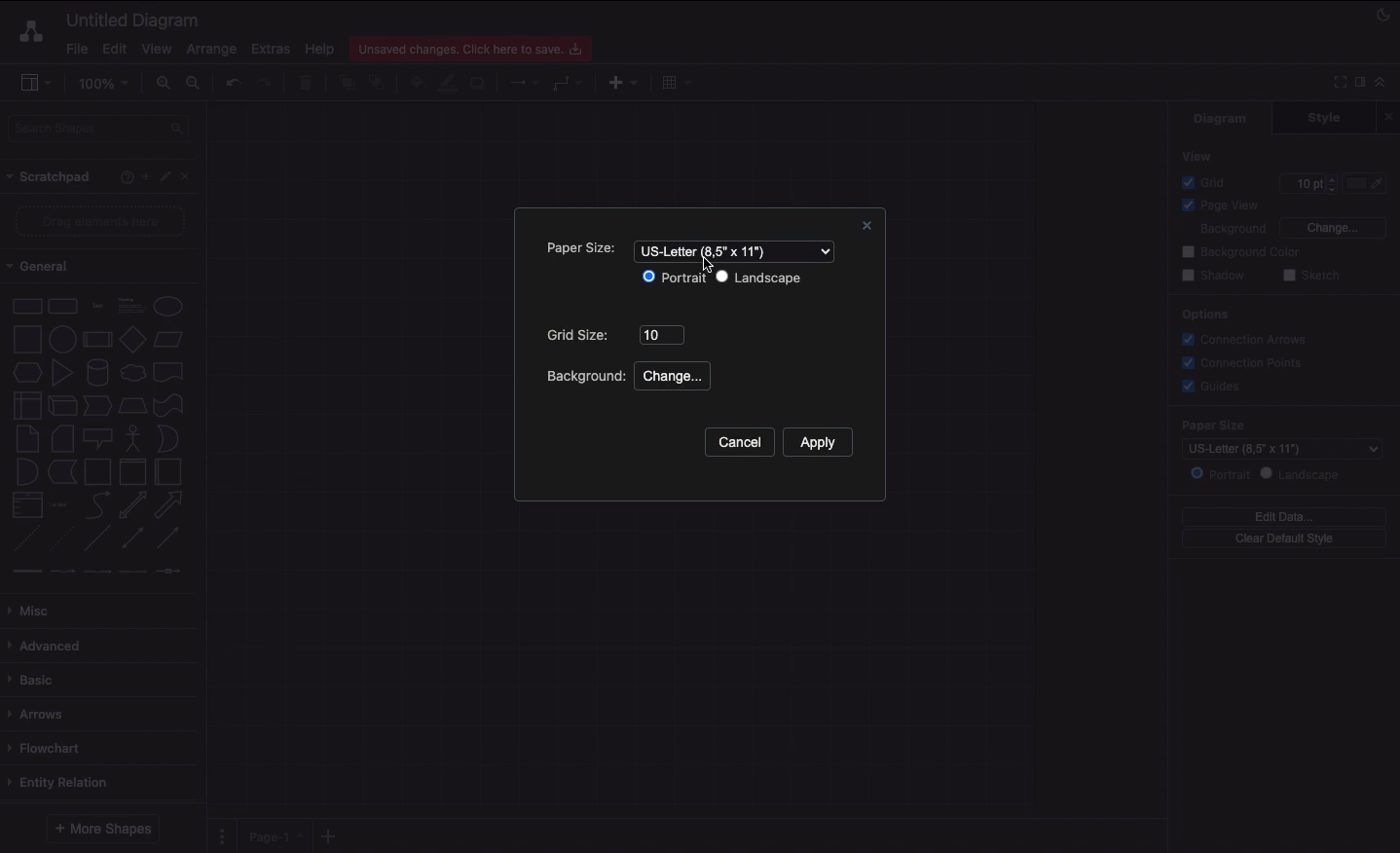  I want to click on Shadow, so click(1213, 275).